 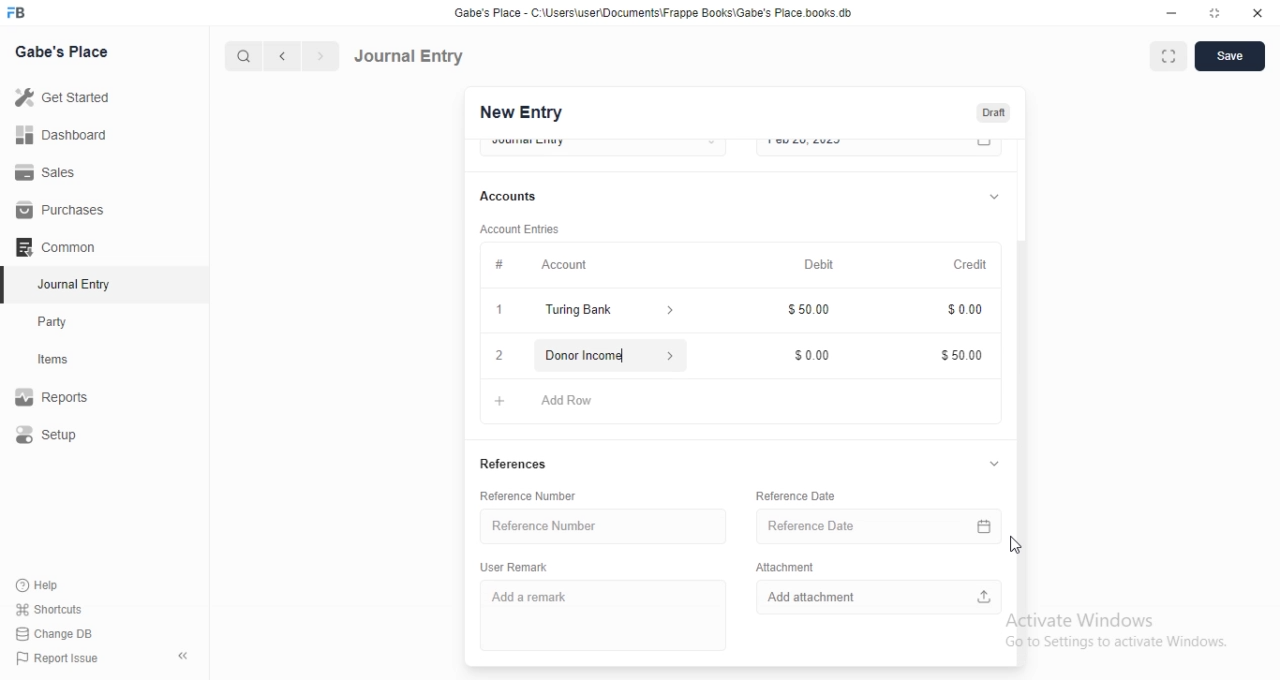 I want to click on restore down, so click(x=1216, y=15).